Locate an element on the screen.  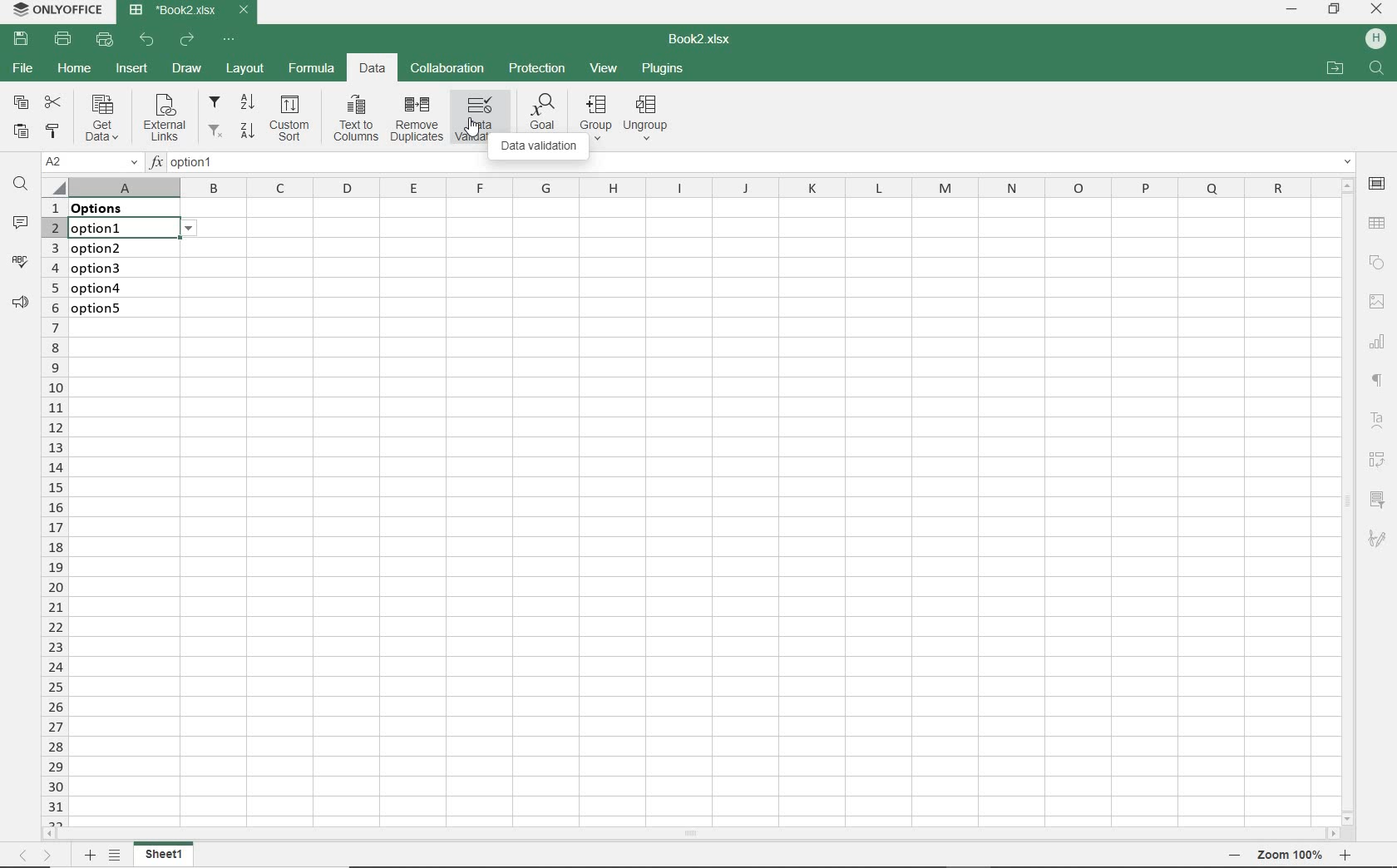
External links is located at coordinates (165, 119).